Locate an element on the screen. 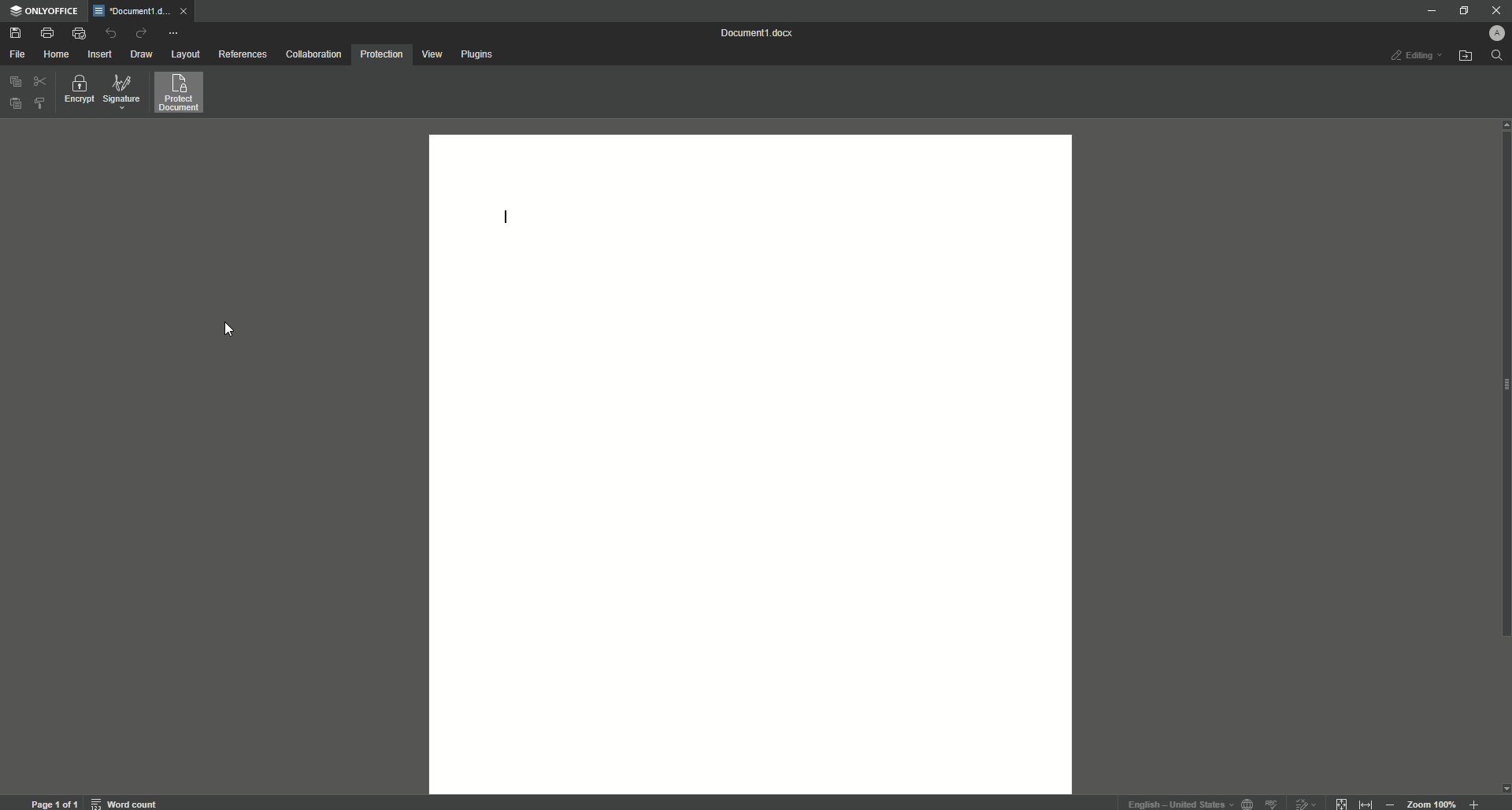  scroll bar is located at coordinates (1503, 398).